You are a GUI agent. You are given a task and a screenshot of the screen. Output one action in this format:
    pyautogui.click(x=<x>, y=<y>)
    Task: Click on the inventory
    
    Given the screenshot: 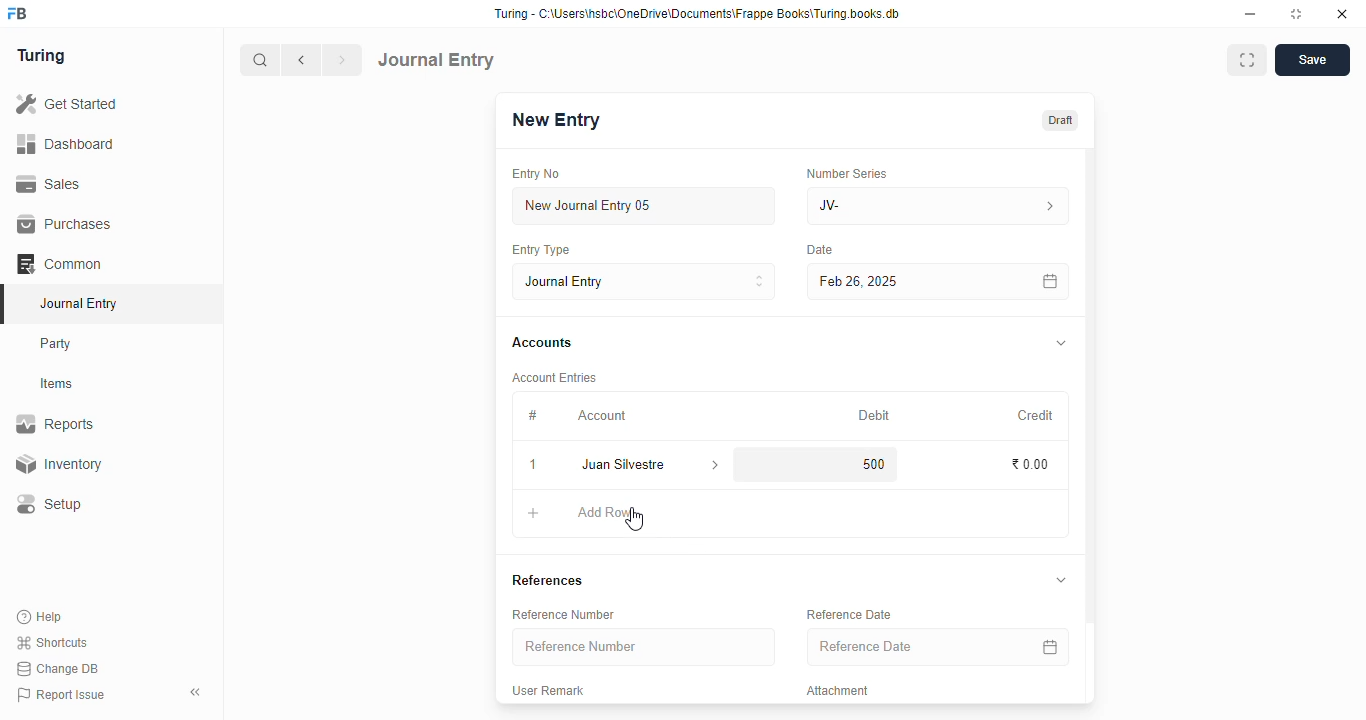 What is the action you would take?
    pyautogui.click(x=58, y=464)
    